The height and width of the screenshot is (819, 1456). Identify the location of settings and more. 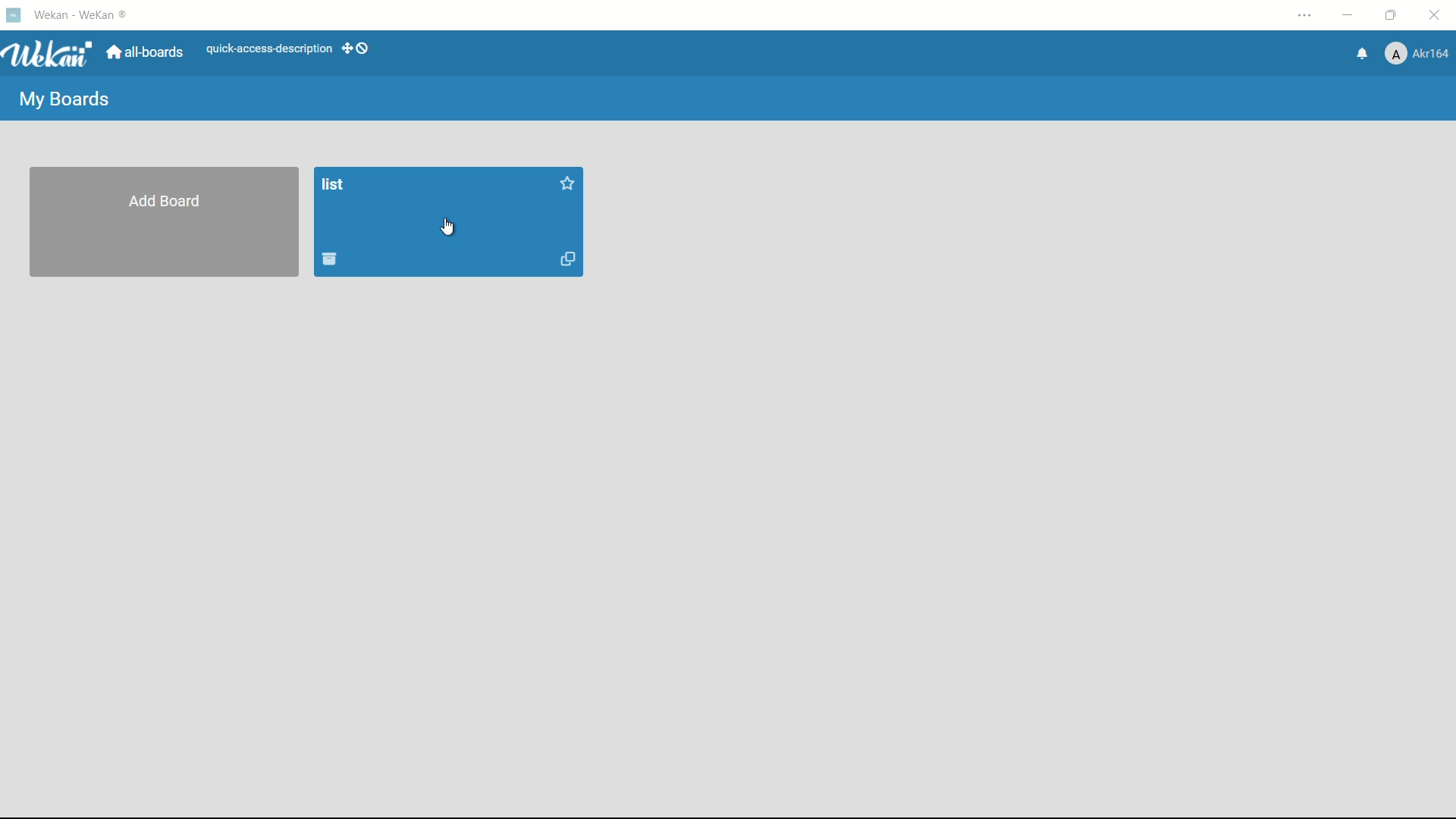
(1307, 15).